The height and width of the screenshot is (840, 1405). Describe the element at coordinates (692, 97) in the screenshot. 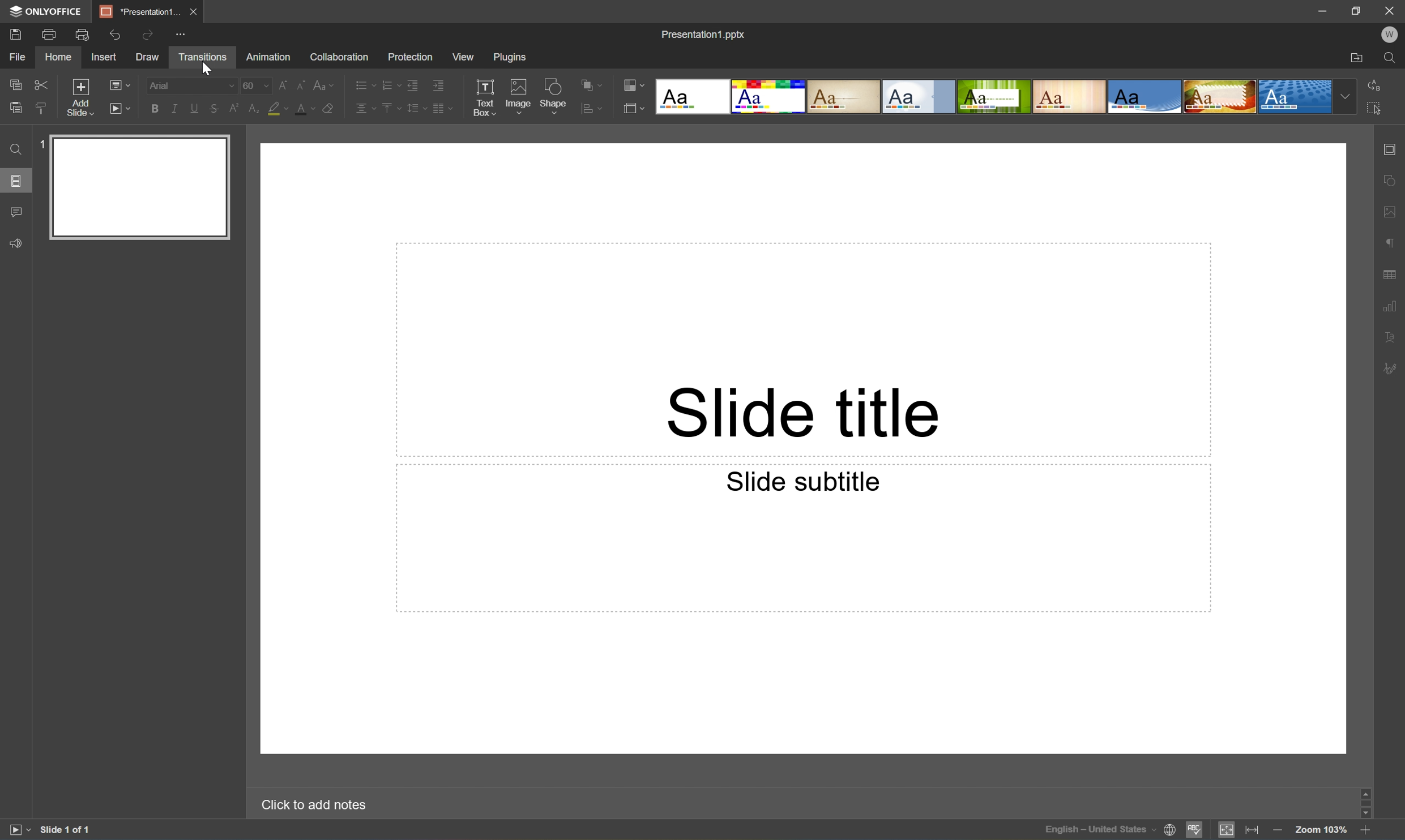

I see `Blank` at that location.